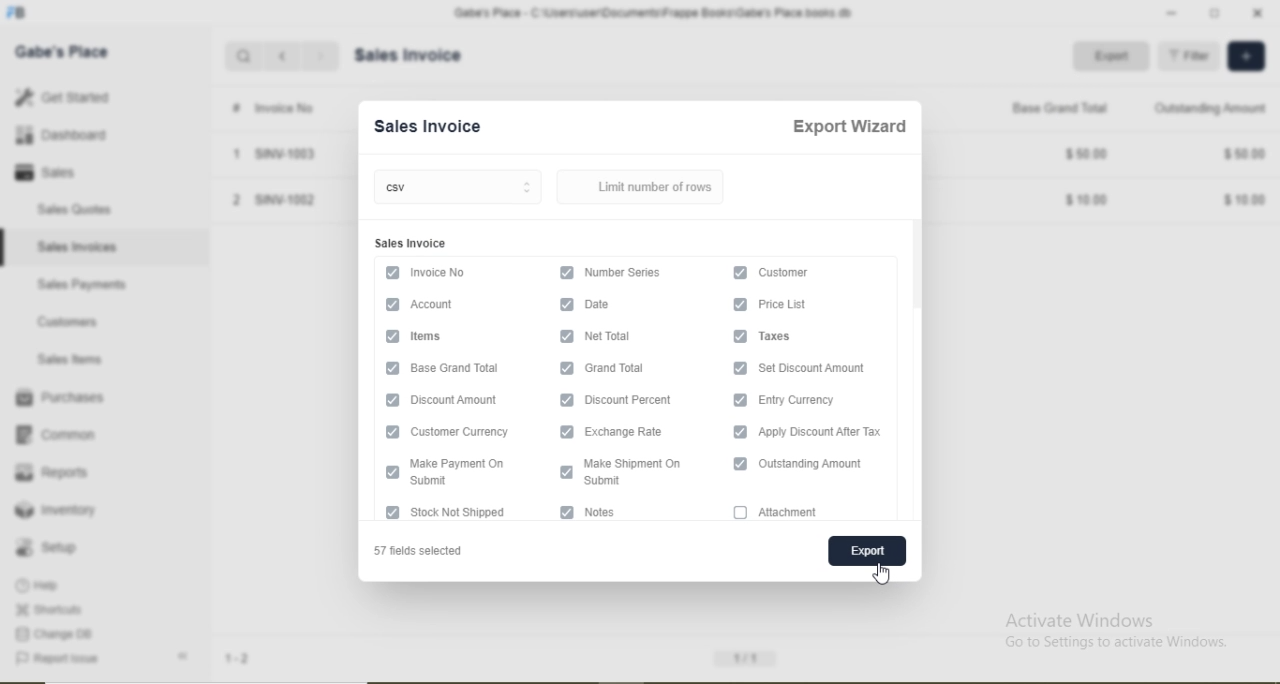 The width and height of the screenshot is (1280, 684). What do you see at coordinates (461, 189) in the screenshot?
I see `csv` at bounding box center [461, 189].